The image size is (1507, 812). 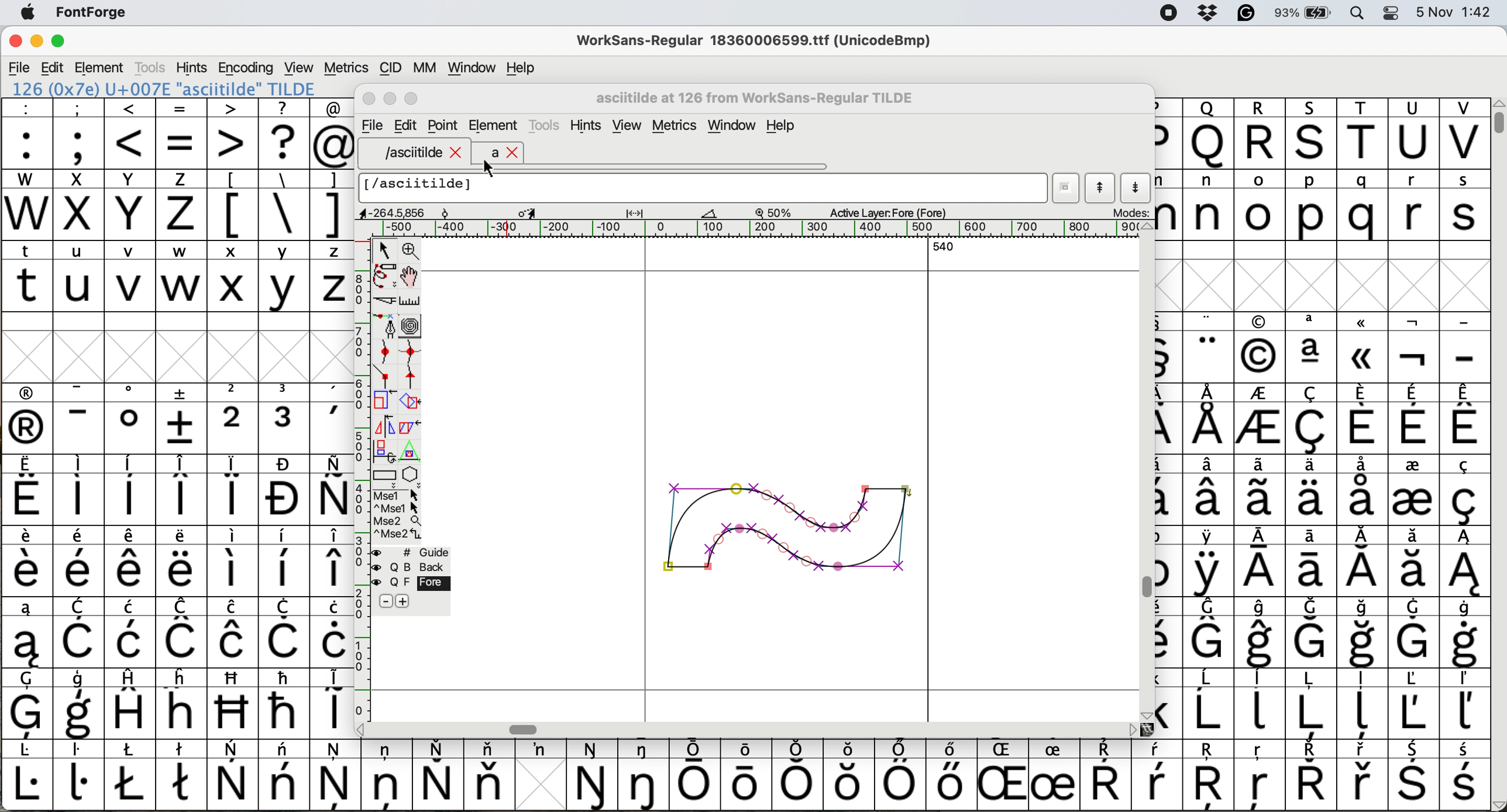 What do you see at coordinates (234, 703) in the screenshot?
I see `` at bounding box center [234, 703].